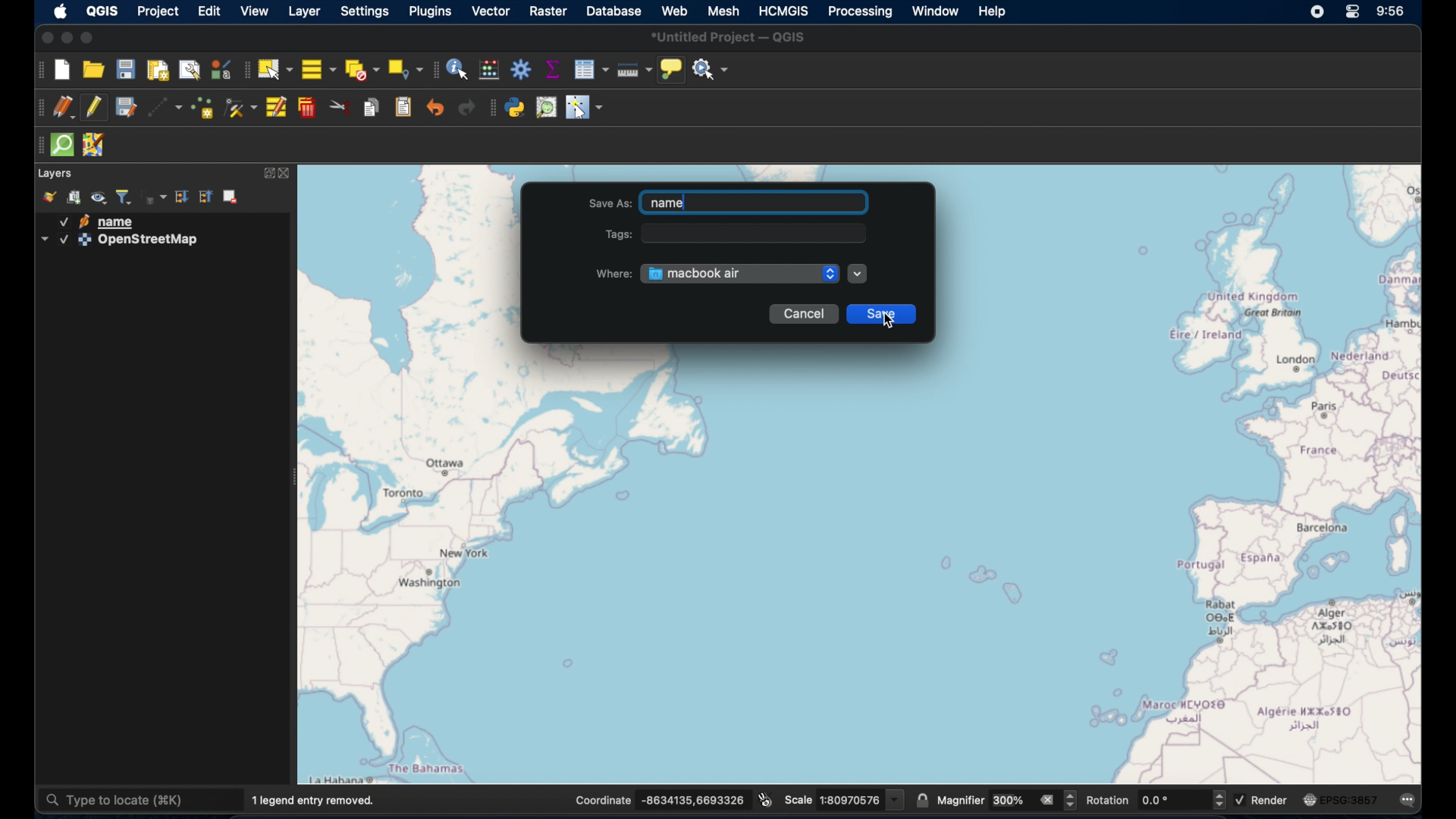 The width and height of the screenshot is (1456, 819). What do you see at coordinates (90, 39) in the screenshot?
I see `maximize` at bounding box center [90, 39].